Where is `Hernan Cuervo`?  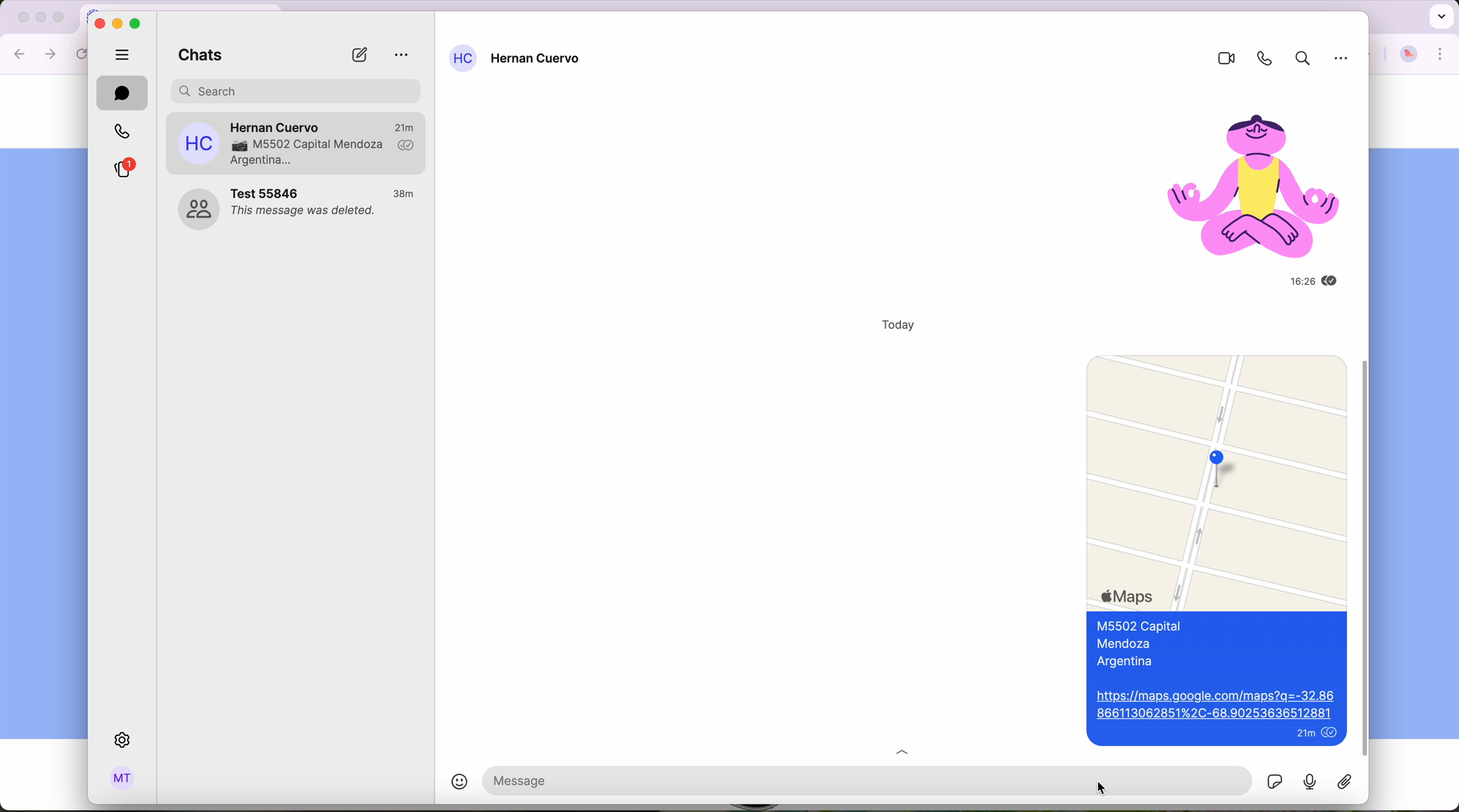 Hernan Cuervo is located at coordinates (537, 60).